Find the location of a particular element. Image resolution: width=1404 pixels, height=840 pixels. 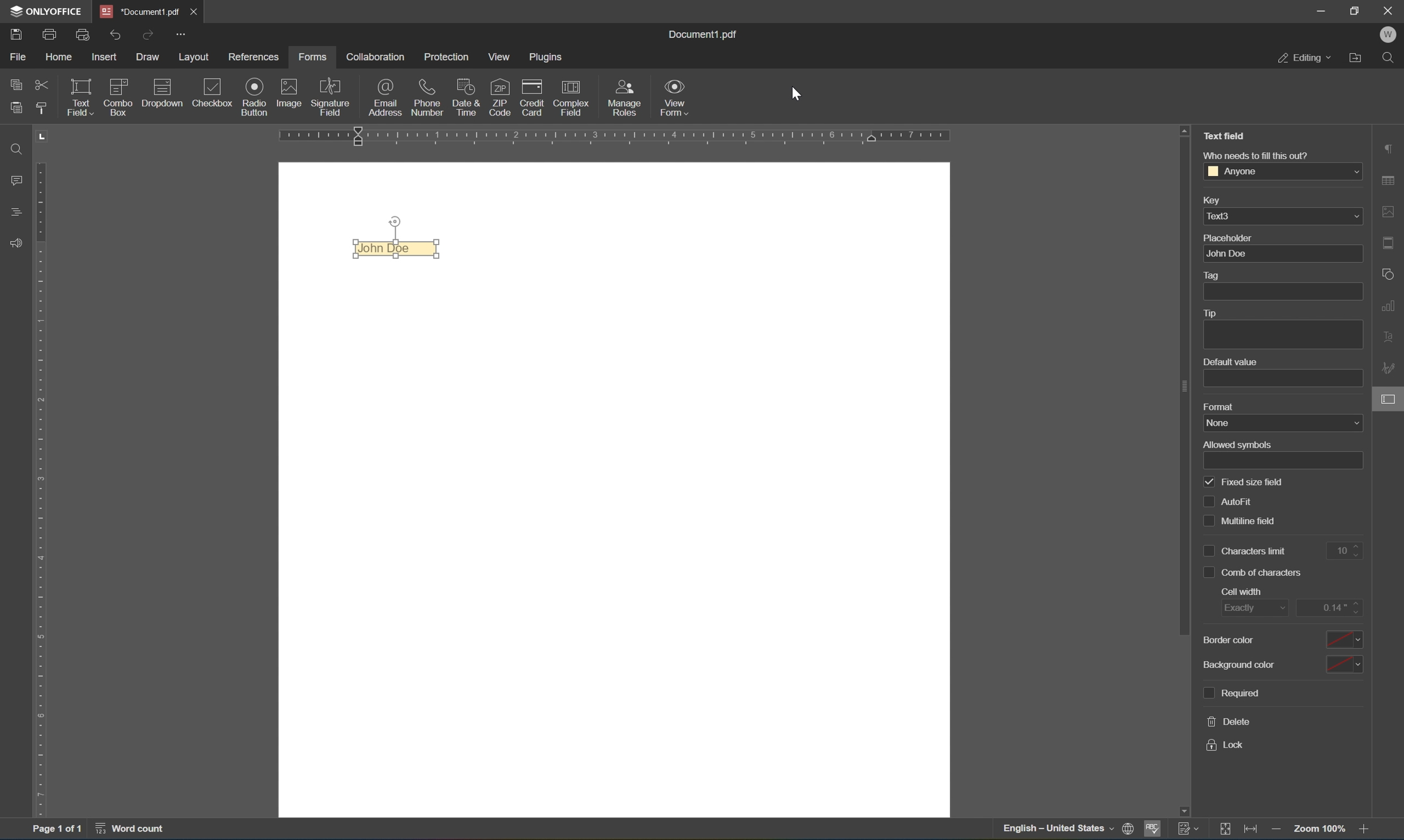

copy style is located at coordinates (41, 108).